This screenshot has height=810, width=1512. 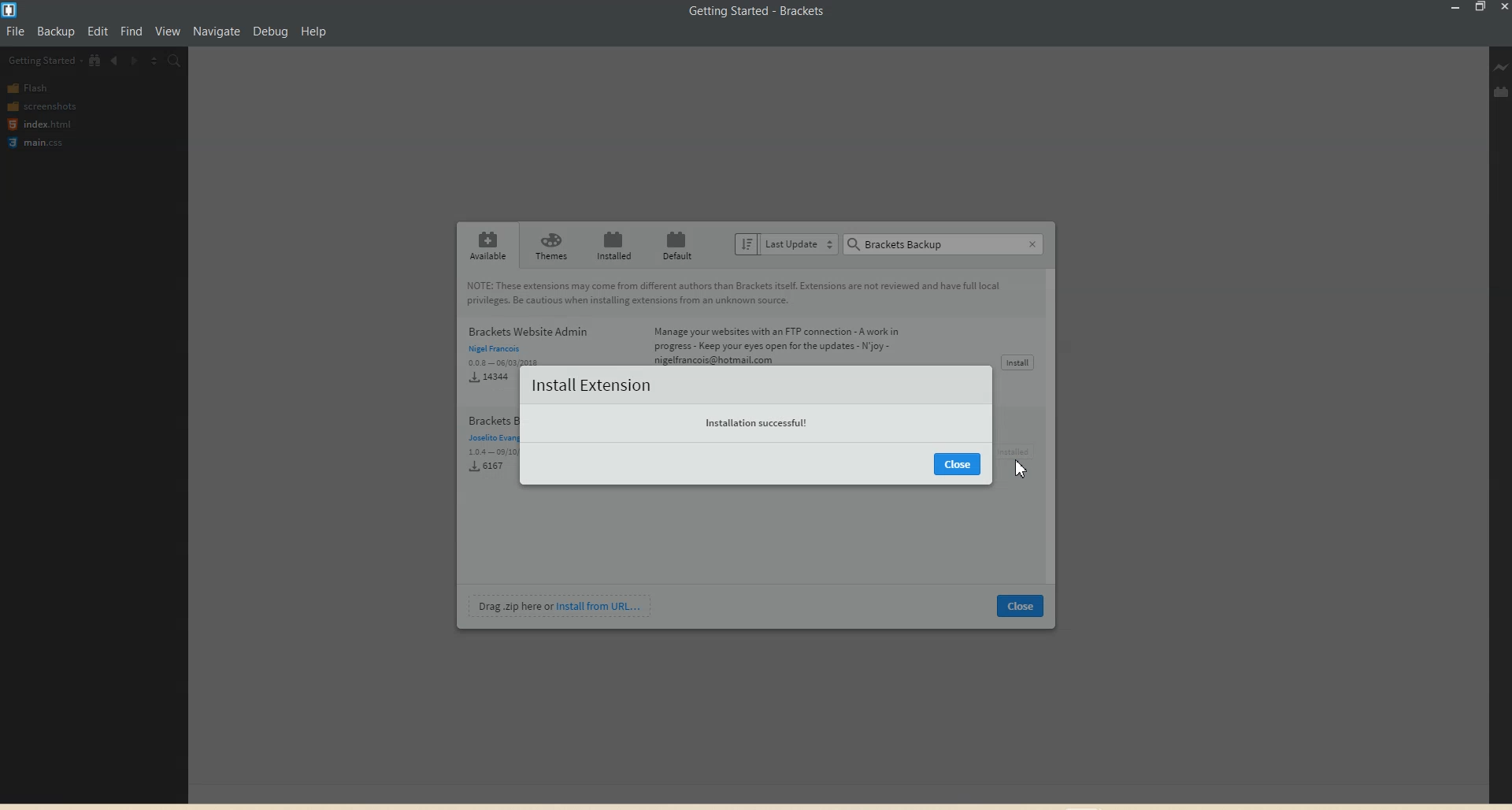 What do you see at coordinates (1457, 8) in the screenshot?
I see `Minimize` at bounding box center [1457, 8].